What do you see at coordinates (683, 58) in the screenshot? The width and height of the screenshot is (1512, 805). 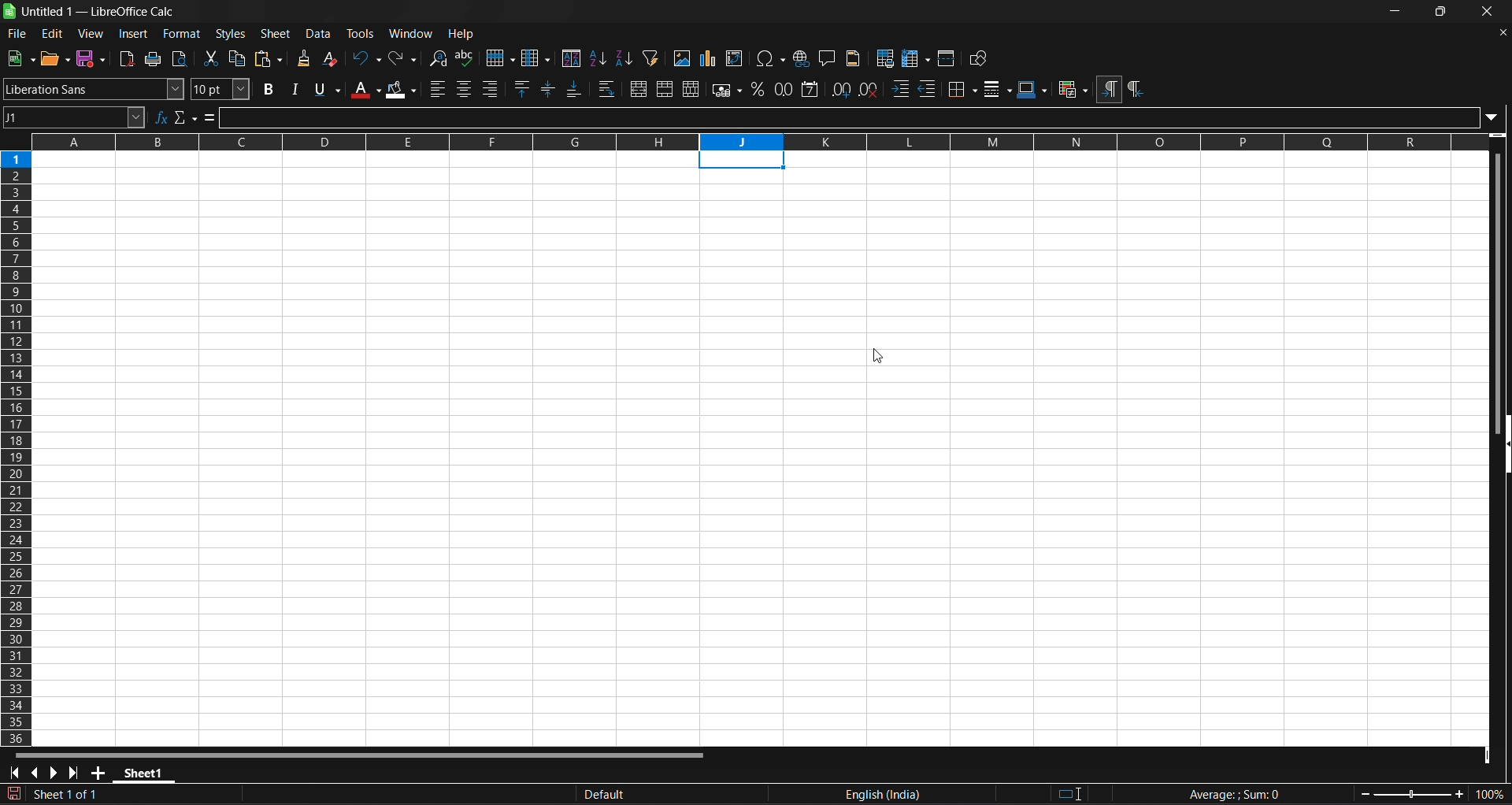 I see `insert image` at bounding box center [683, 58].